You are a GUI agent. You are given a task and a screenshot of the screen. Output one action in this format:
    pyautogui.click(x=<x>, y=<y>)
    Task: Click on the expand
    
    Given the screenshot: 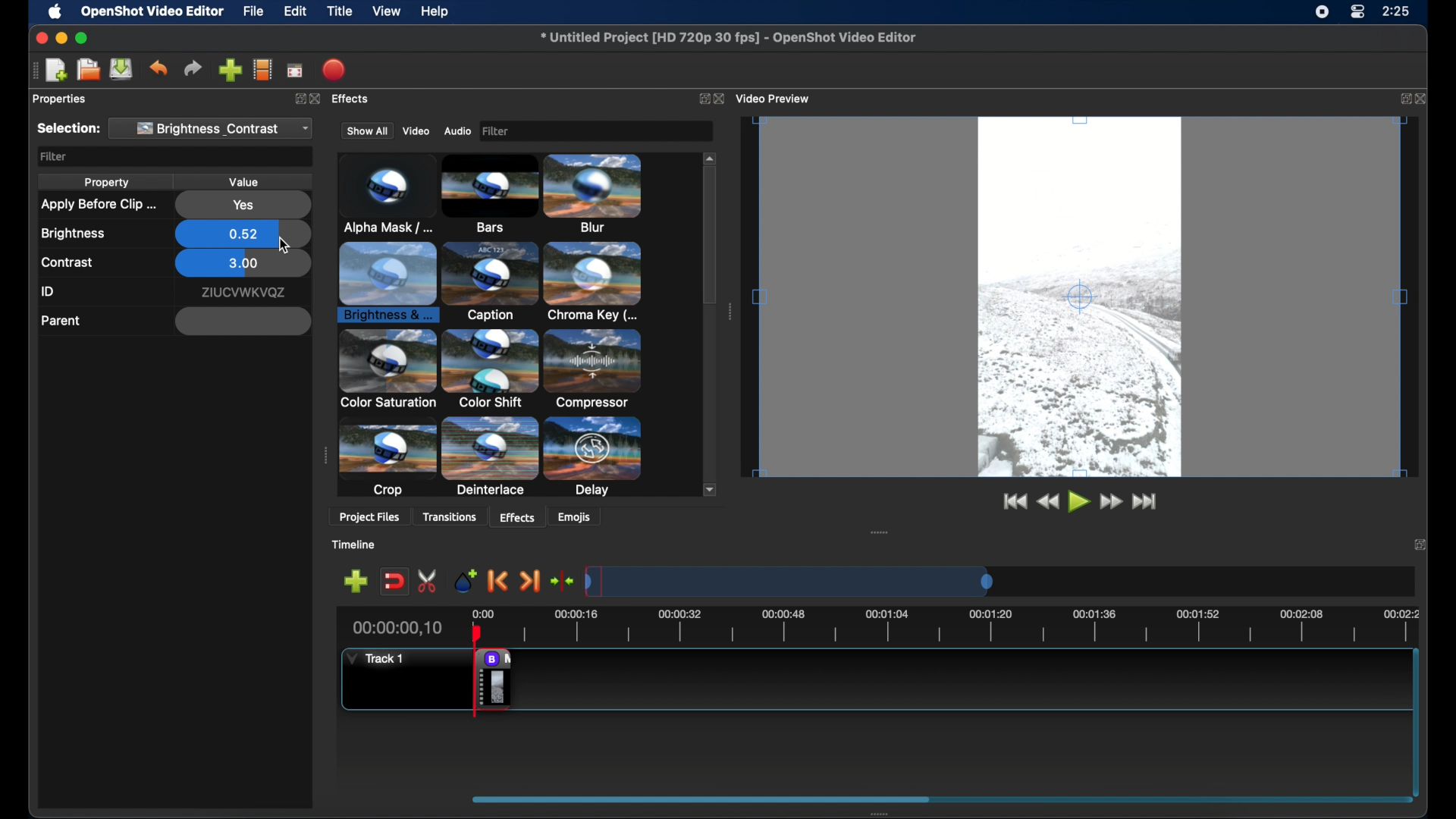 What is the action you would take?
    pyautogui.click(x=301, y=100)
    